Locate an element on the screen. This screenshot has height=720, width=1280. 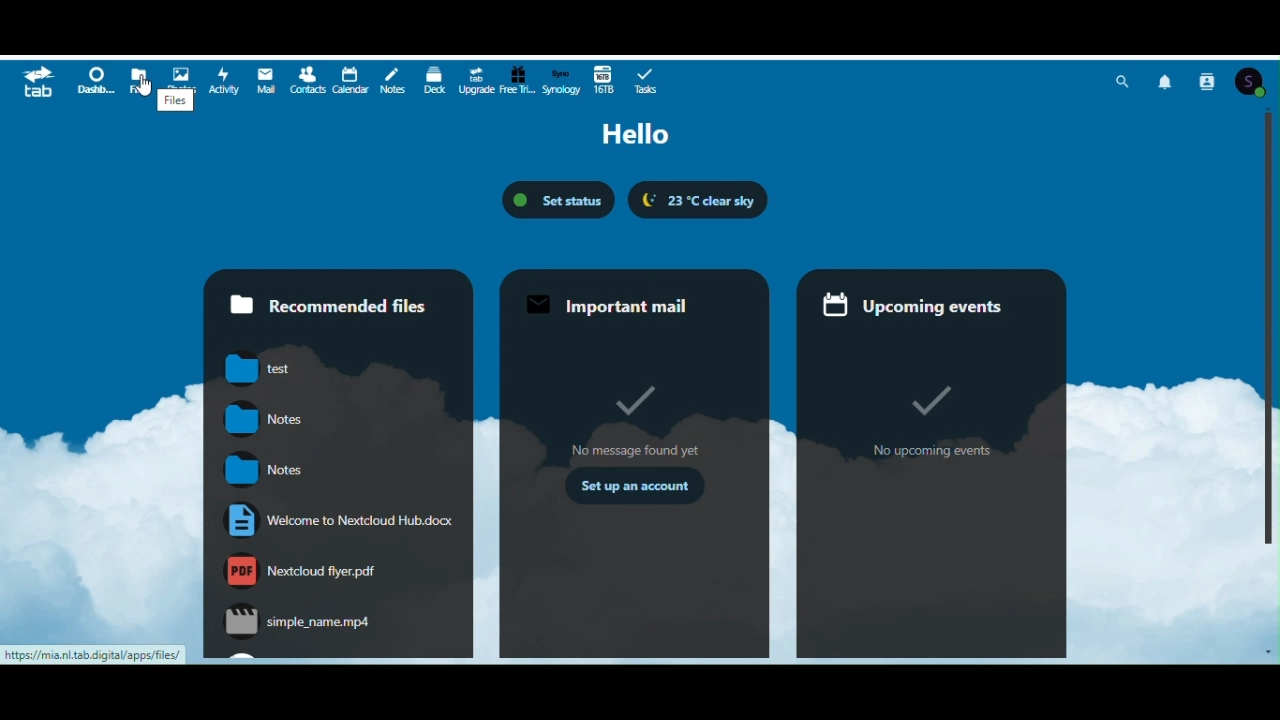
Files is located at coordinates (142, 80).